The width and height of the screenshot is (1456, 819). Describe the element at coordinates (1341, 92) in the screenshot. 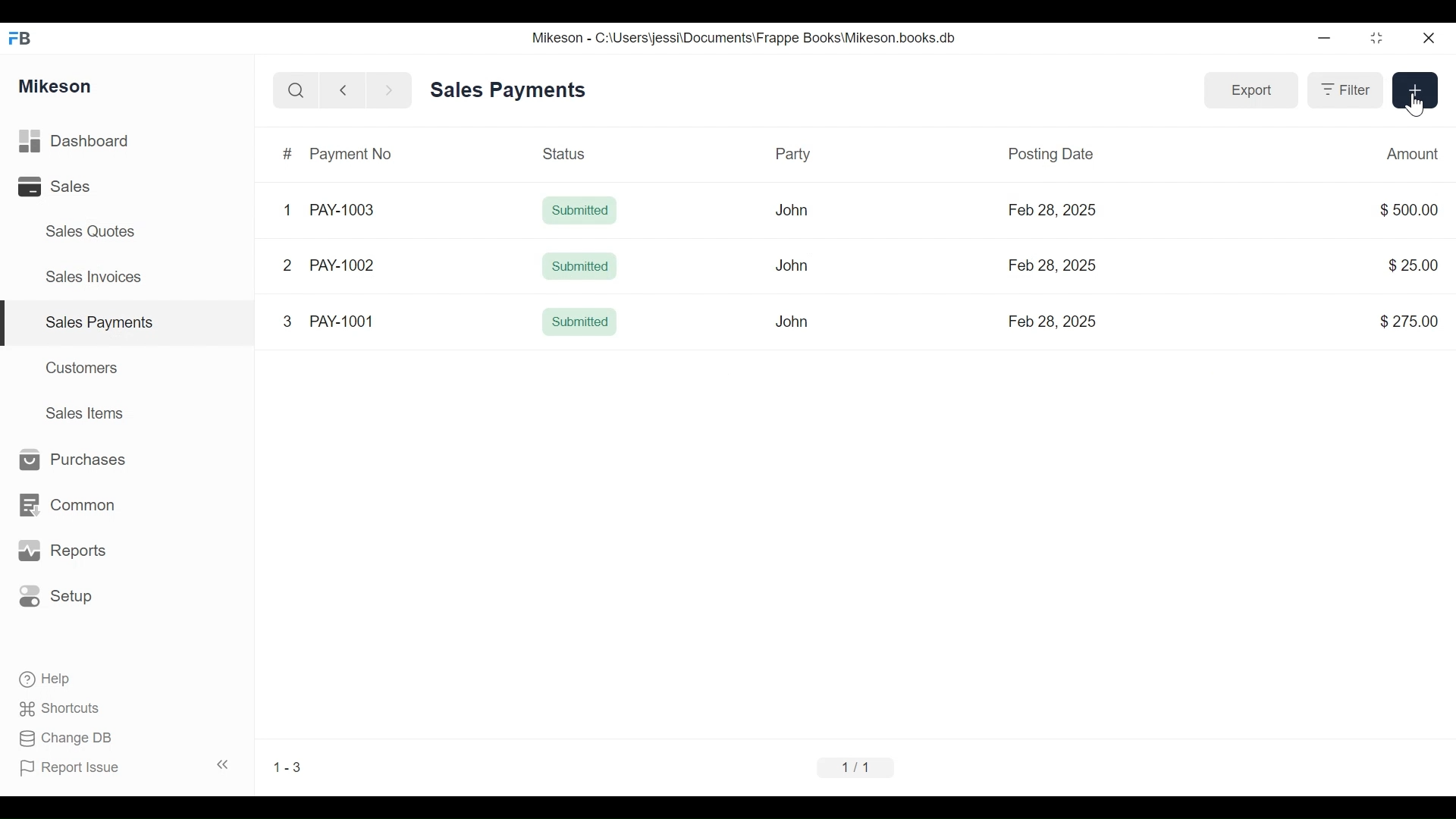

I see `Filter` at that location.